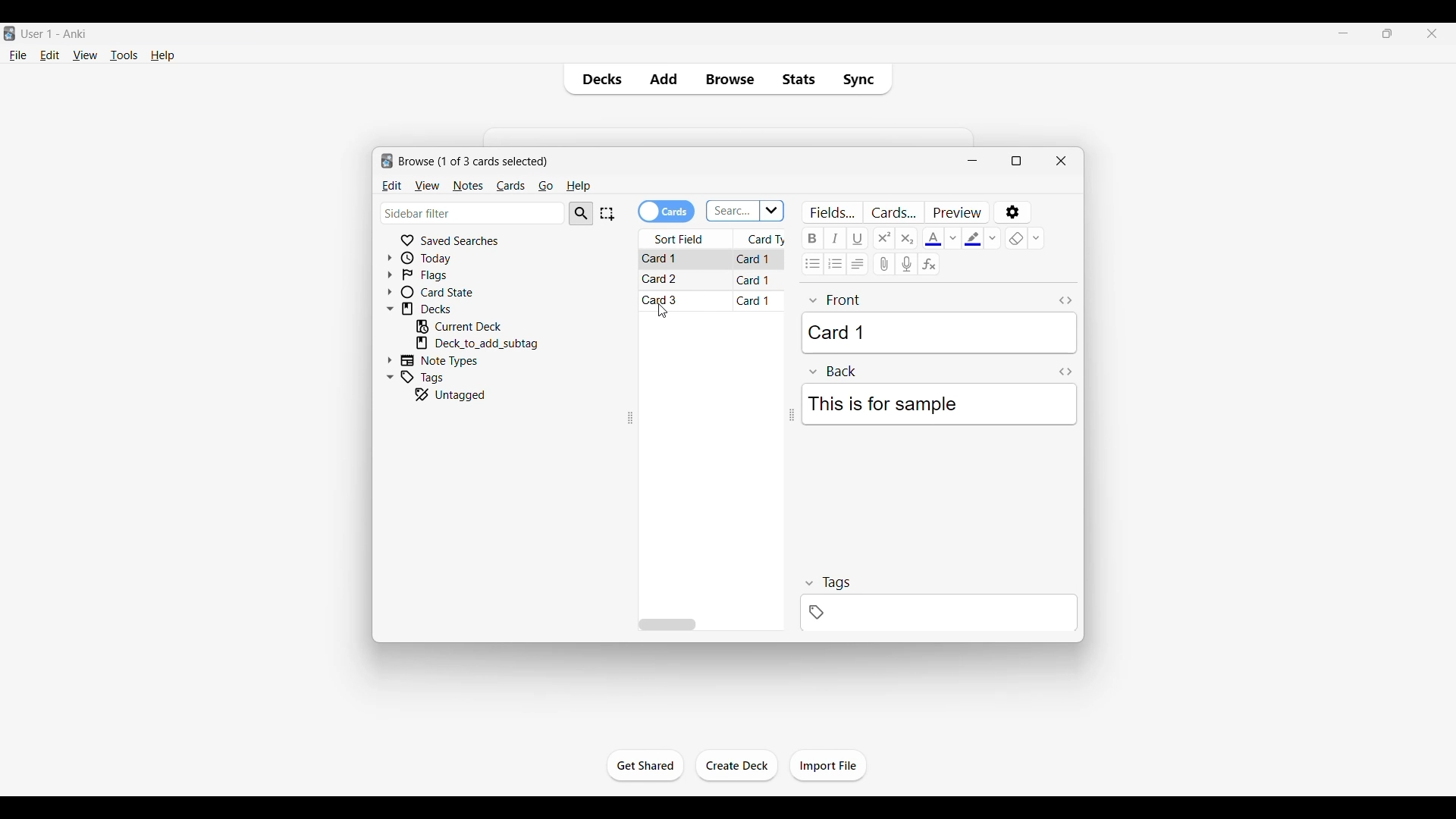 This screenshot has height=819, width=1456. What do you see at coordinates (972, 161) in the screenshot?
I see `Minimize` at bounding box center [972, 161].